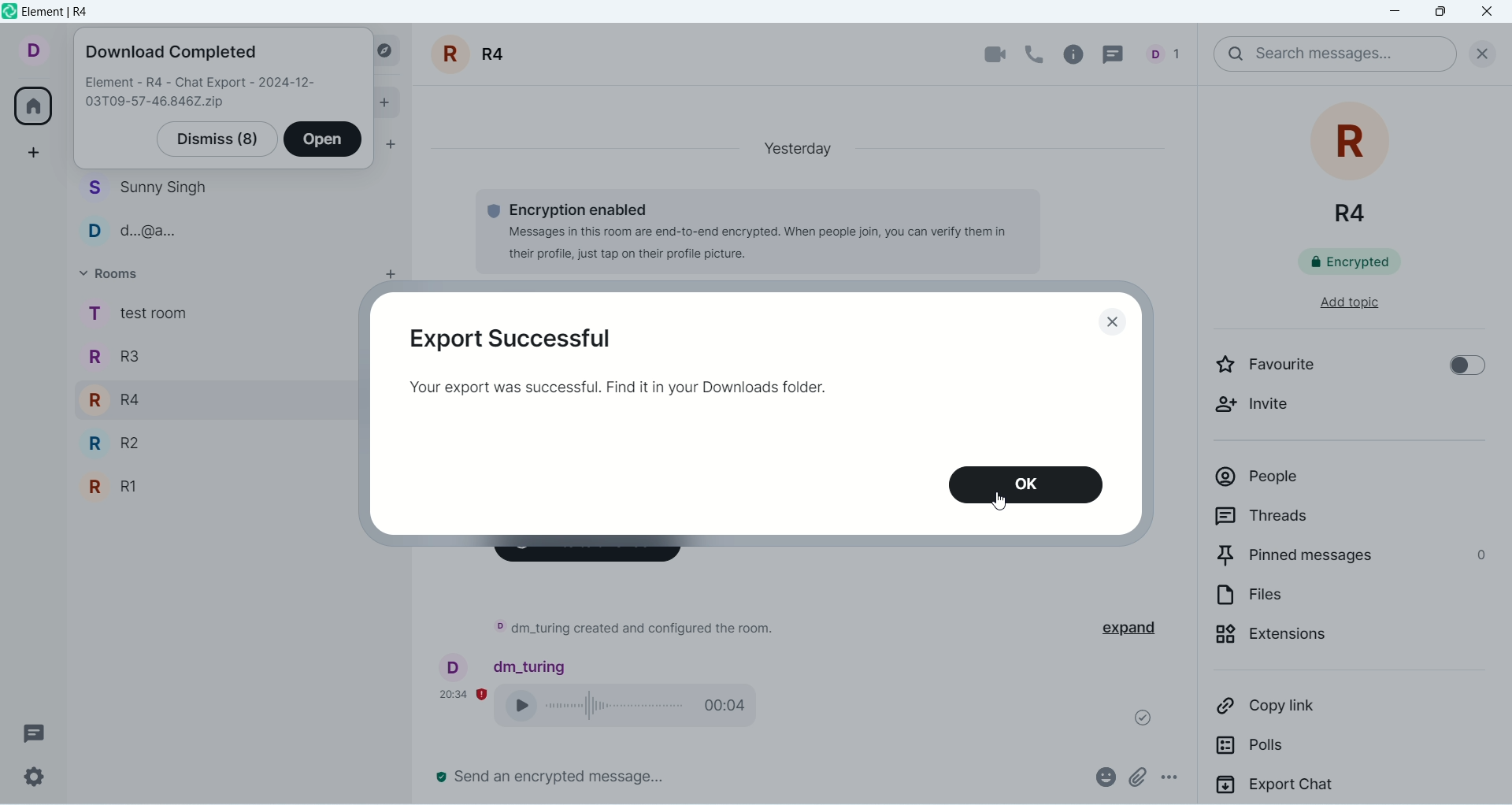 The width and height of the screenshot is (1512, 805). I want to click on video call, so click(986, 55).